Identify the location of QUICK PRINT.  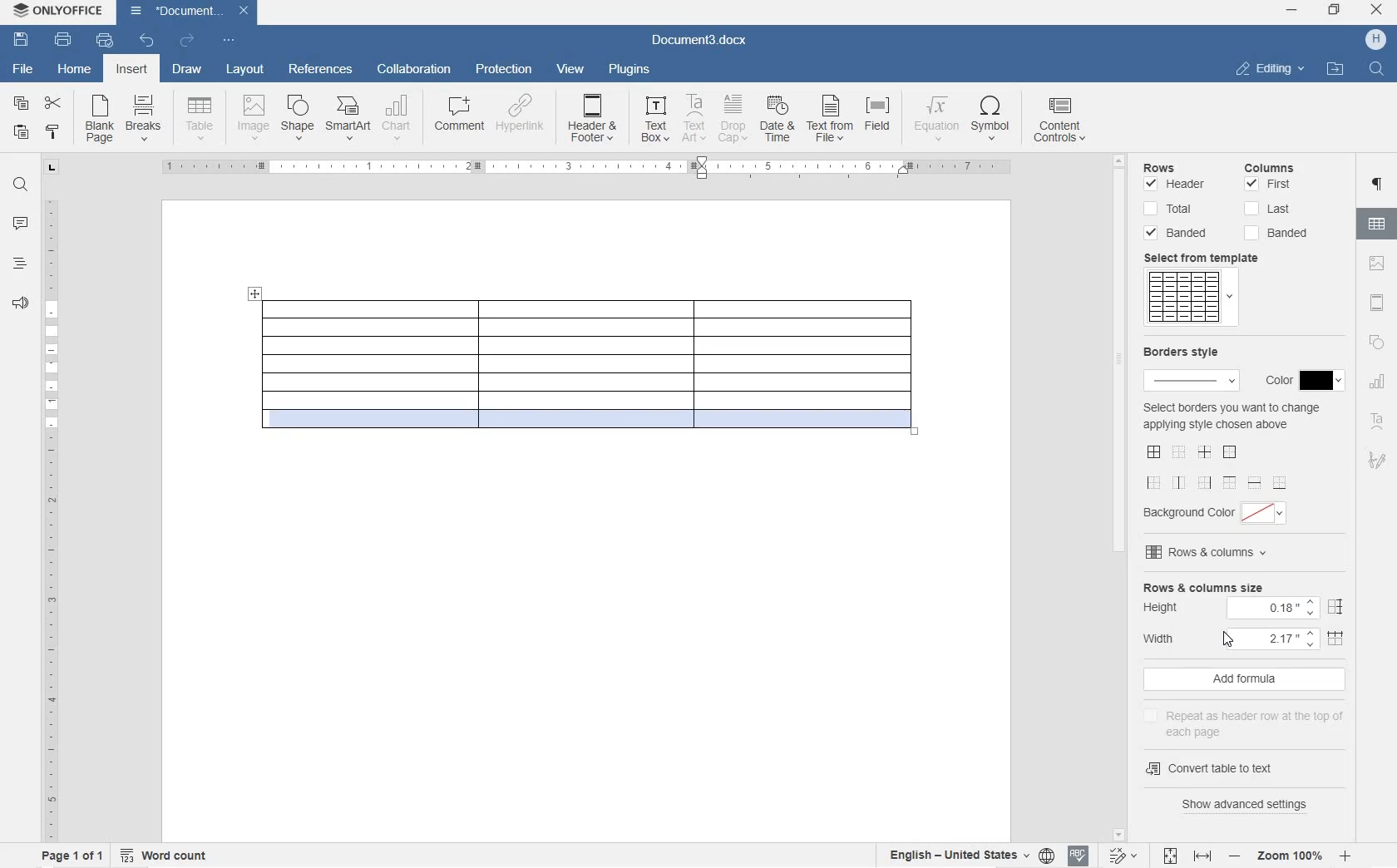
(104, 42).